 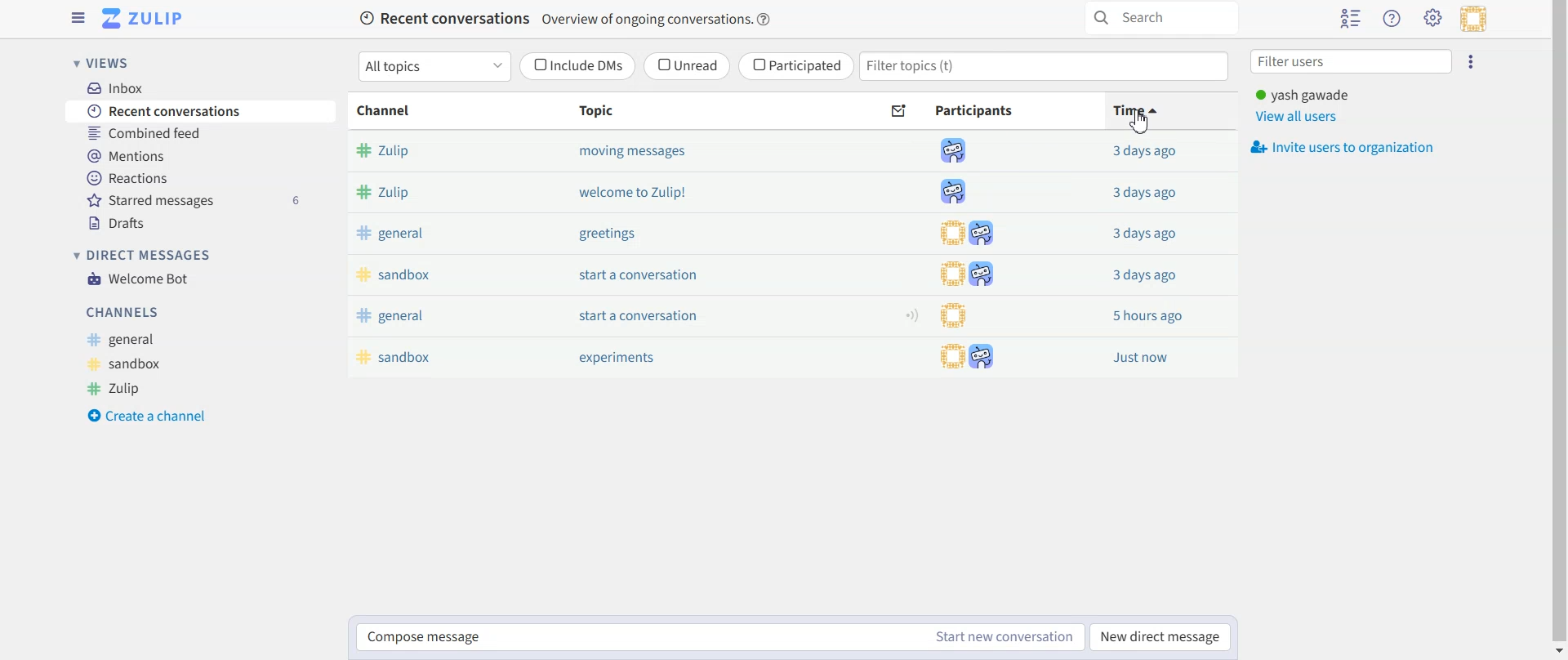 I want to click on 3daysago, so click(x=1137, y=151).